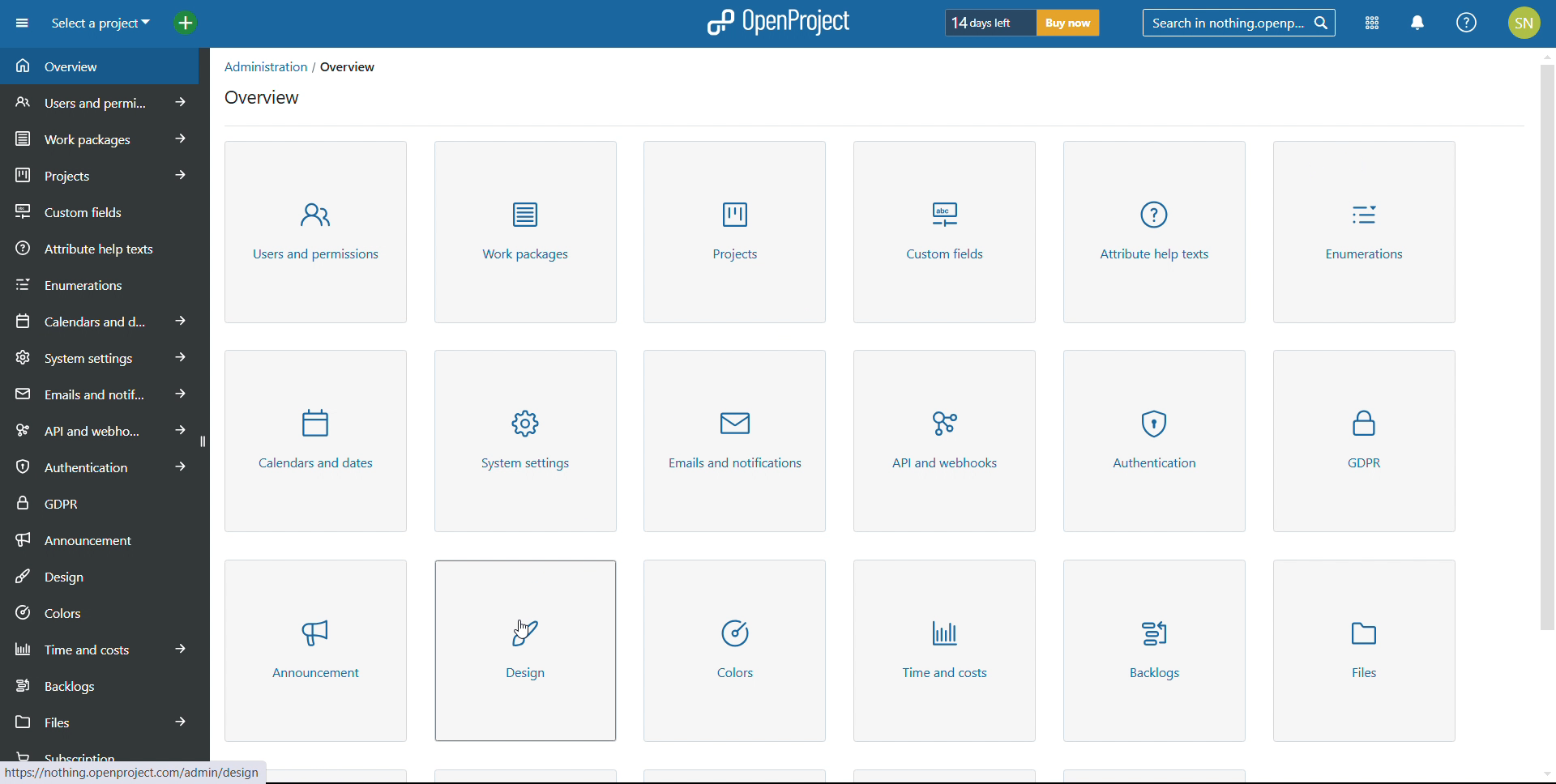  Describe the element at coordinates (102, 684) in the screenshot. I see `backlogs` at that location.